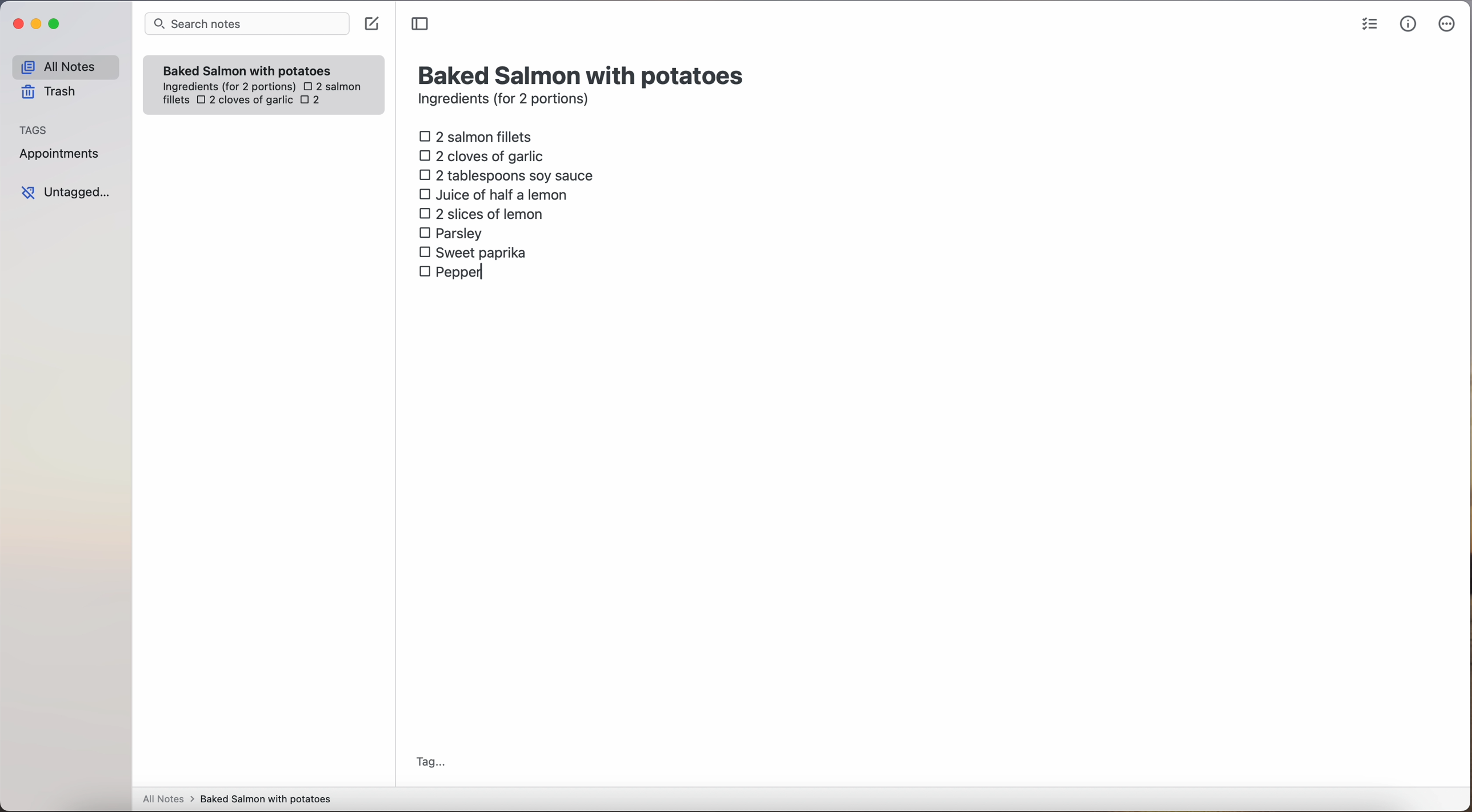 The height and width of the screenshot is (812, 1472). What do you see at coordinates (227, 87) in the screenshot?
I see `ingredientes (for 2 portions)` at bounding box center [227, 87].